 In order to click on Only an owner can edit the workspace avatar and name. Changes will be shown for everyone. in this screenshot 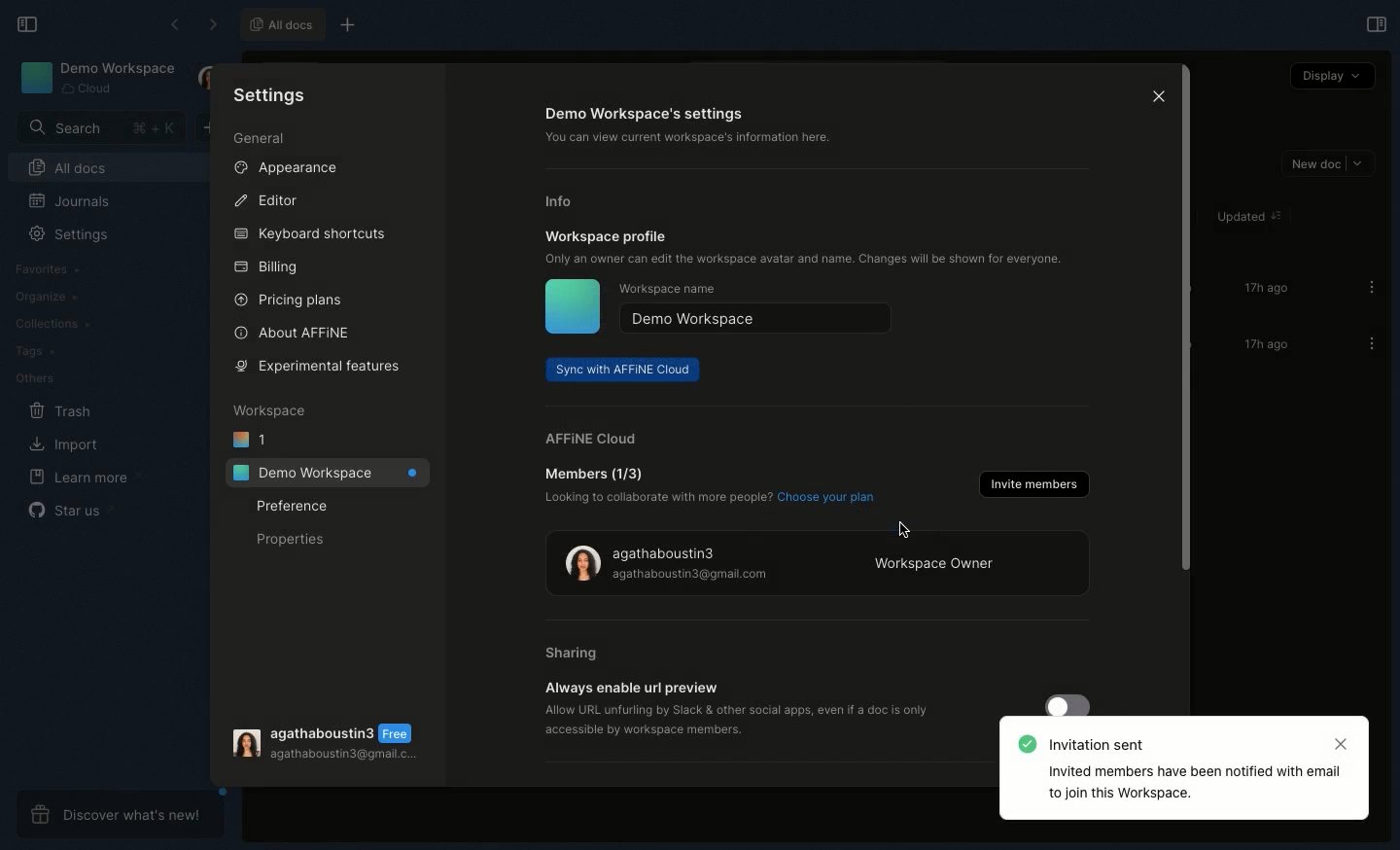, I will do `click(814, 259)`.